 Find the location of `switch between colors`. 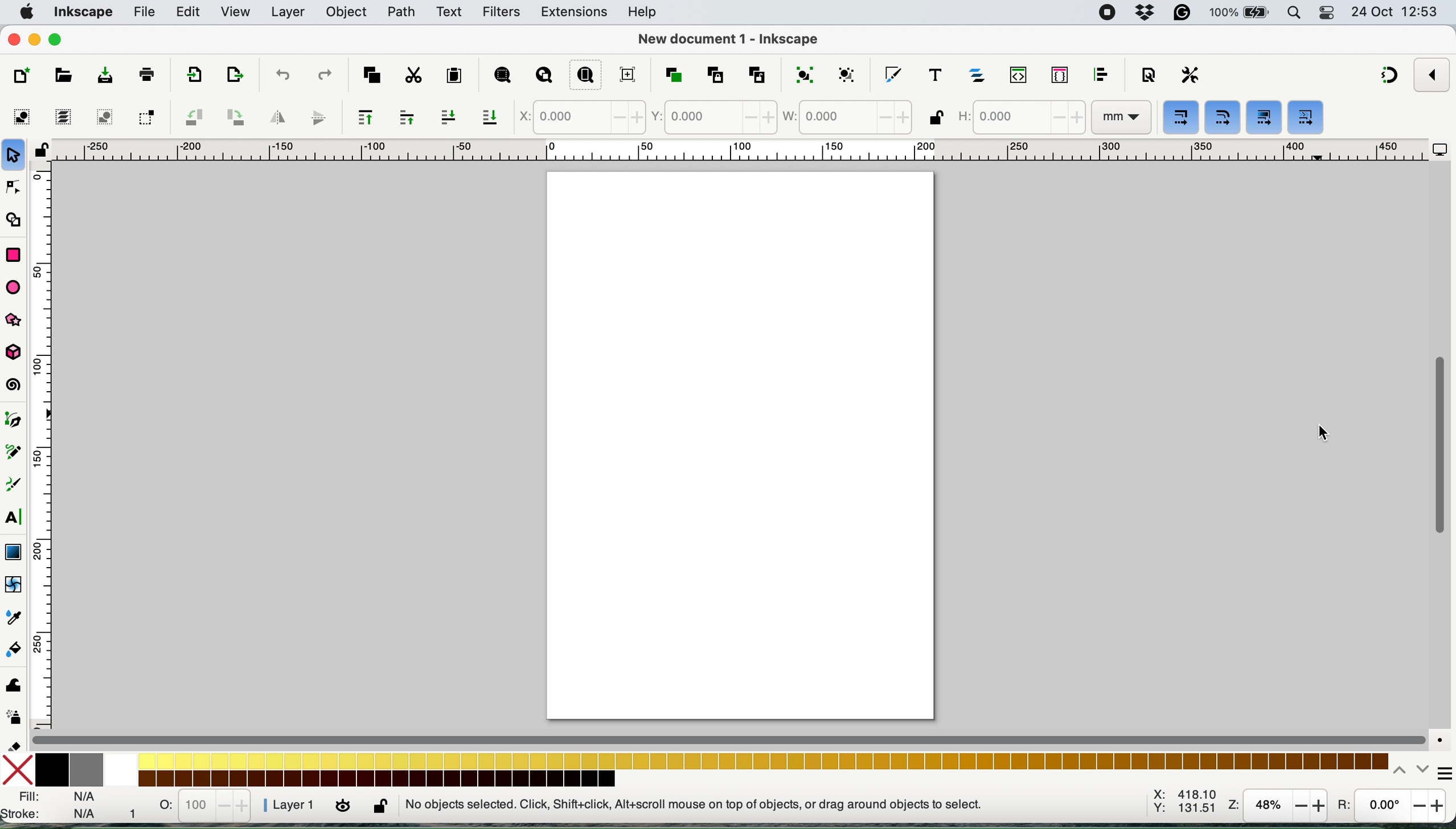

switch between colors is located at coordinates (1412, 768).